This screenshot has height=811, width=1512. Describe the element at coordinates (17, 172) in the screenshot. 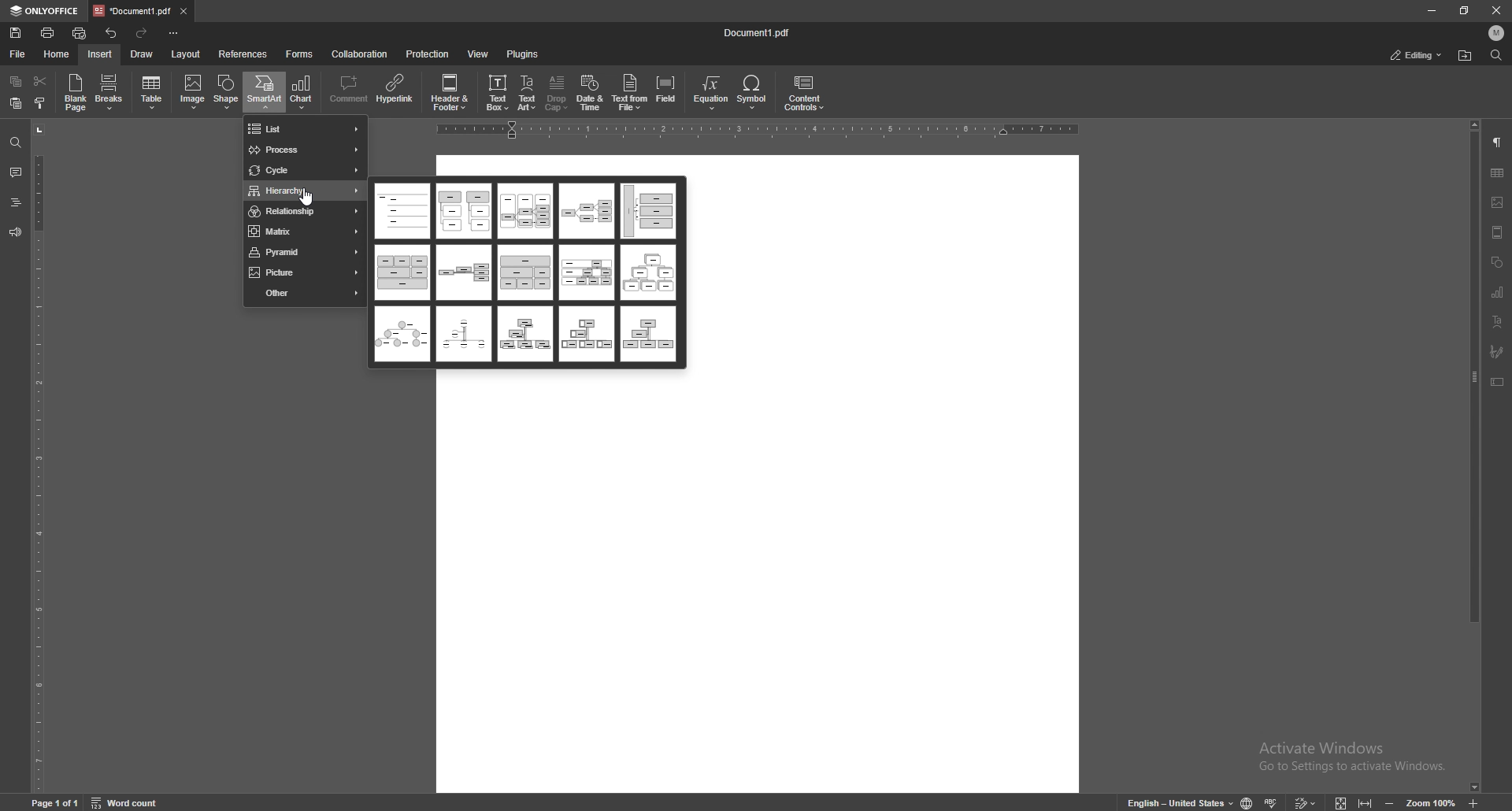

I see `comment` at that location.